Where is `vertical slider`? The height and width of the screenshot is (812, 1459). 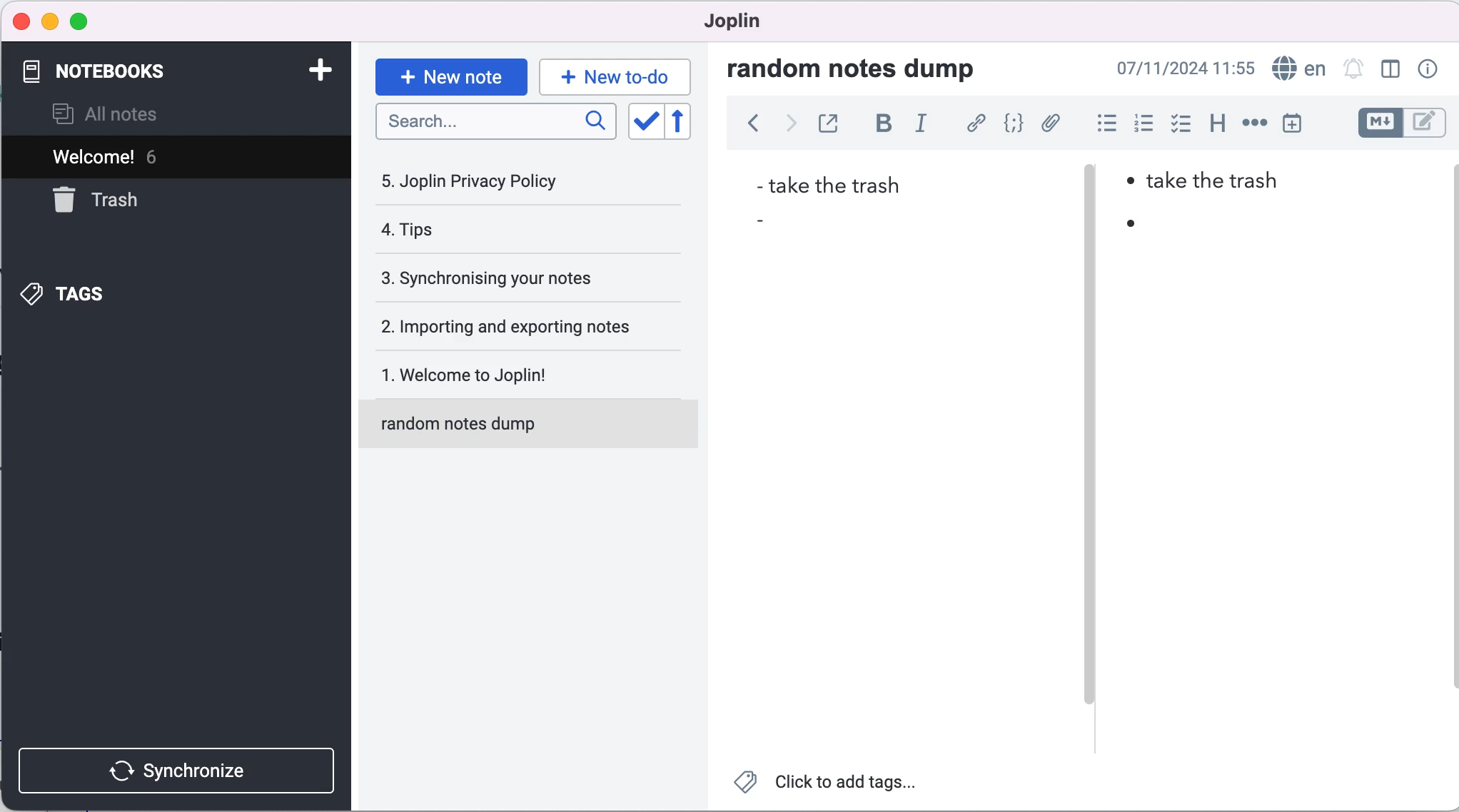 vertical slider is located at coordinates (1091, 200).